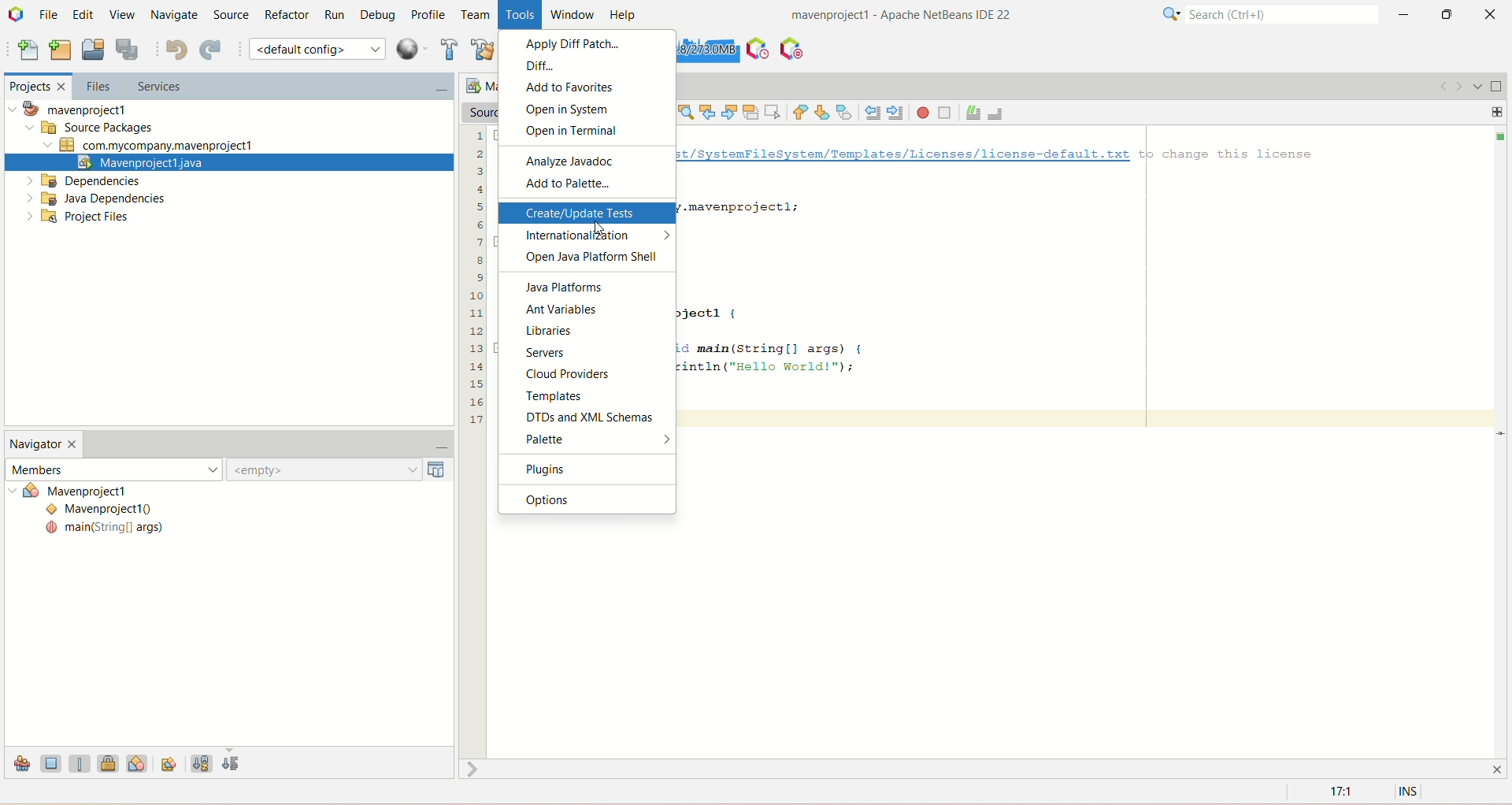 The width and height of the screenshot is (1512, 805). I want to click on show static members, so click(83, 762).